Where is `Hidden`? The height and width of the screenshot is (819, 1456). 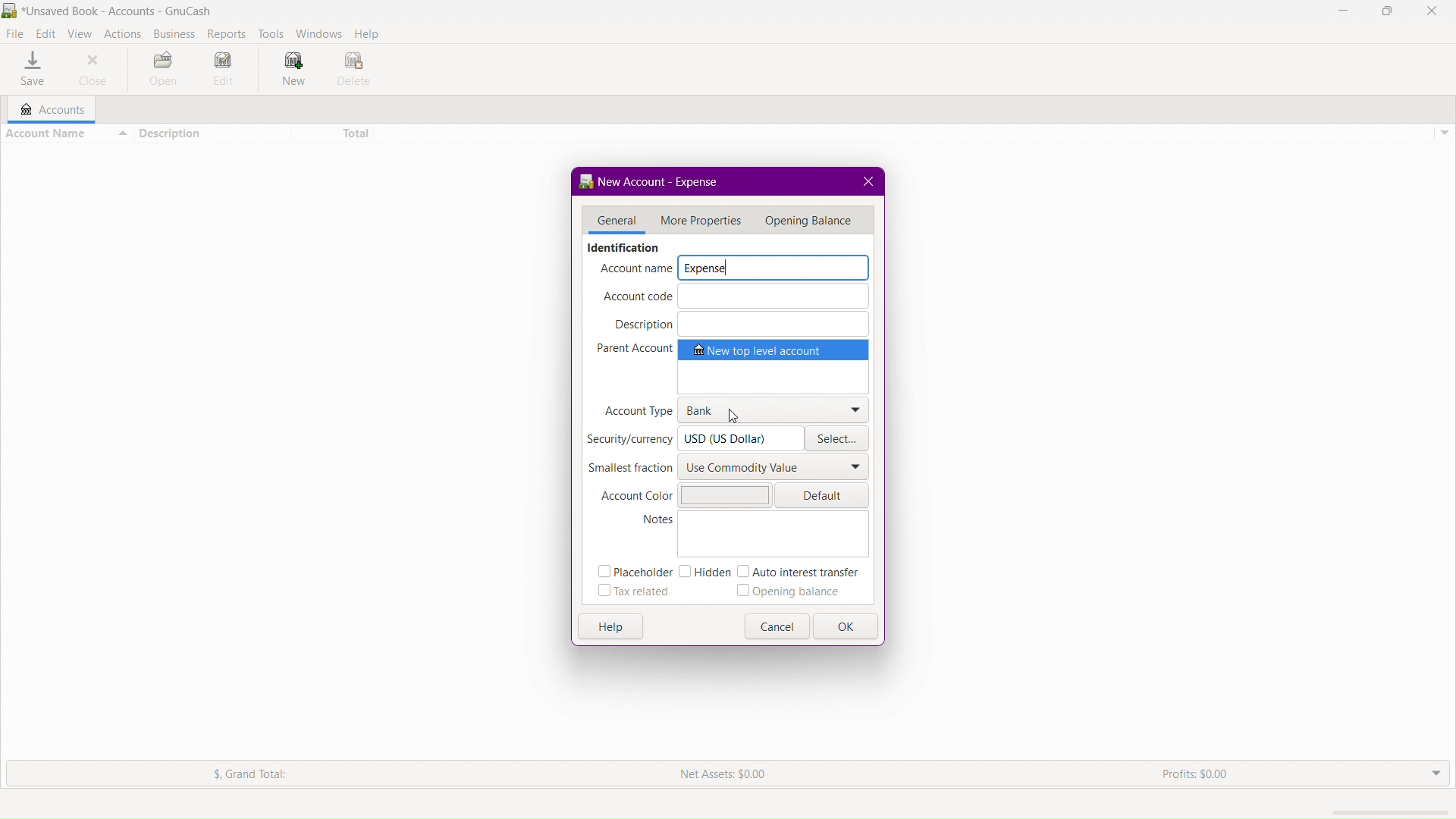 Hidden is located at coordinates (703, 572).